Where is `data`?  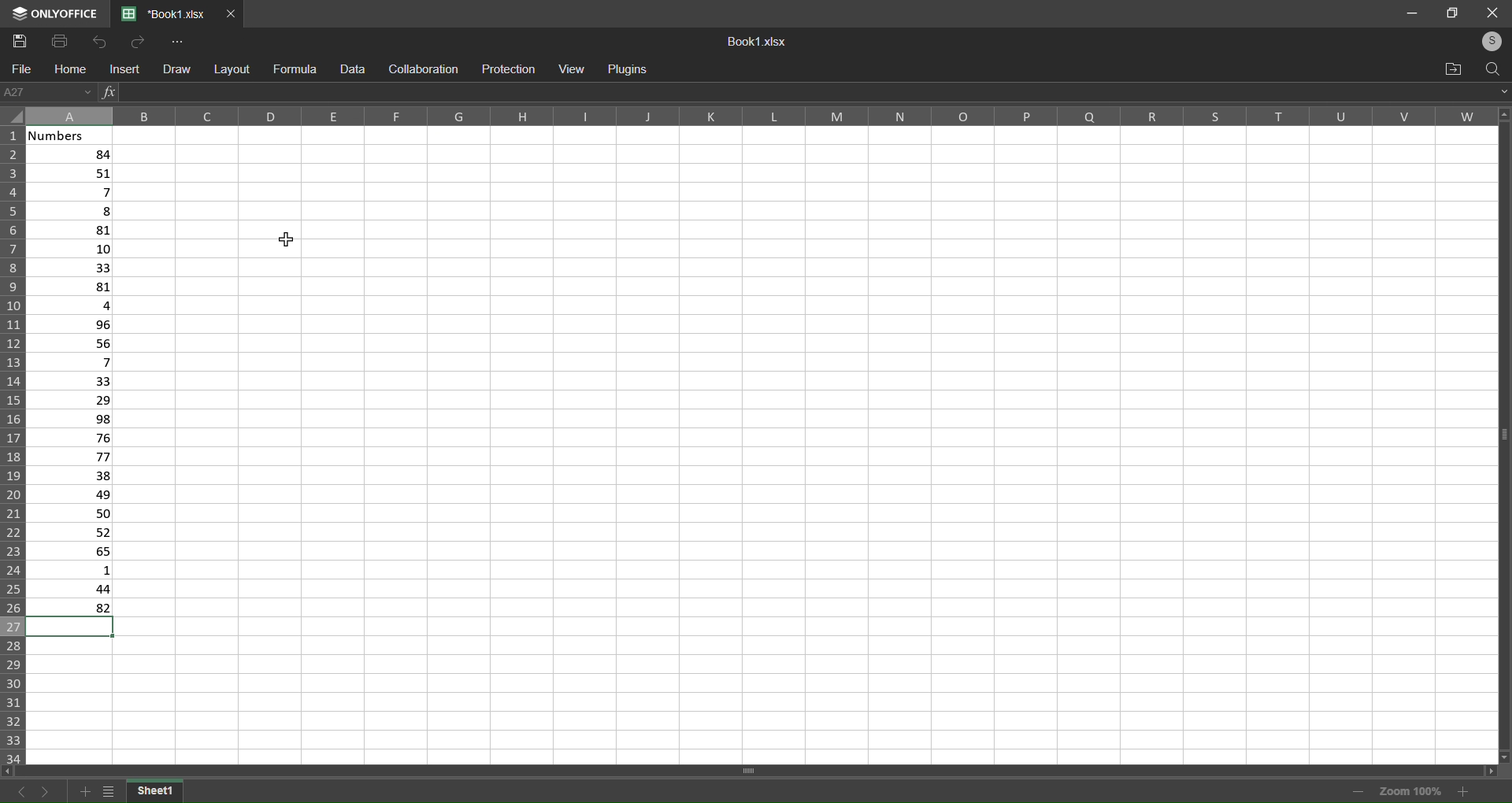
data is located at coordinates (354, 69).